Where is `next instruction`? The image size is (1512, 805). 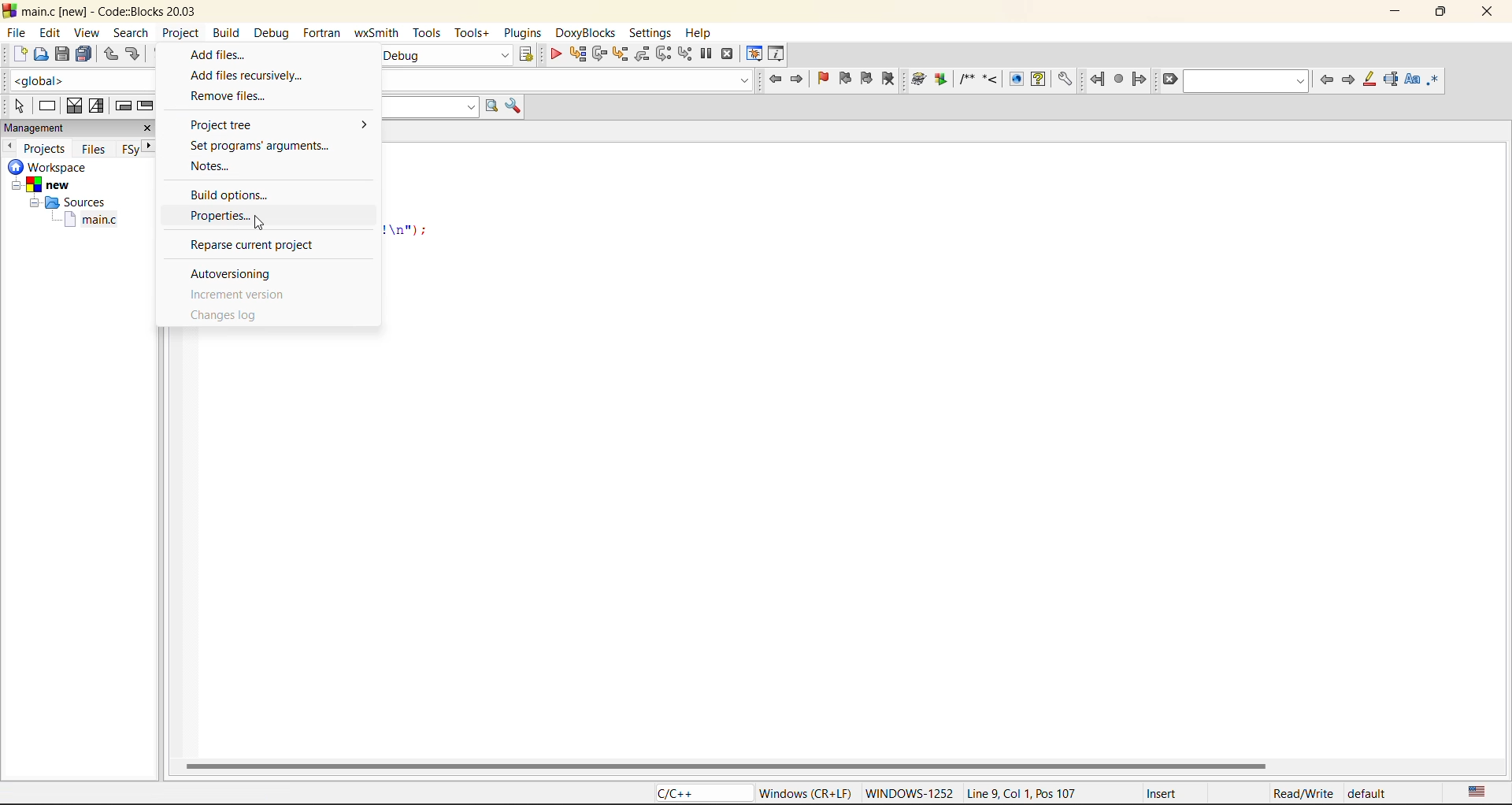 next instruction is located at coordinates (661, 53).